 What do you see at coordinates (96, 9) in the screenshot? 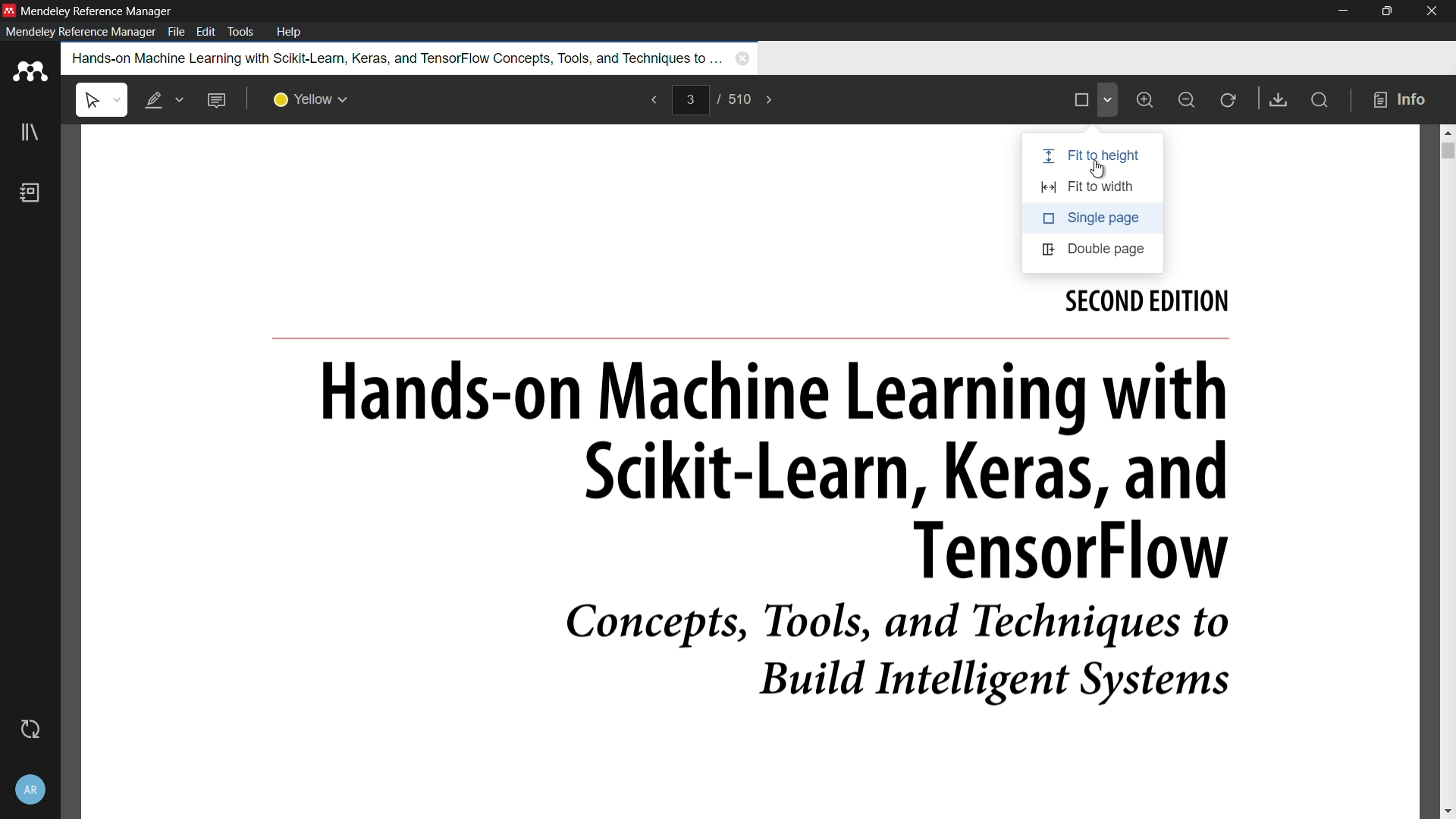
I see `app name` at bounding box center [96, 9].